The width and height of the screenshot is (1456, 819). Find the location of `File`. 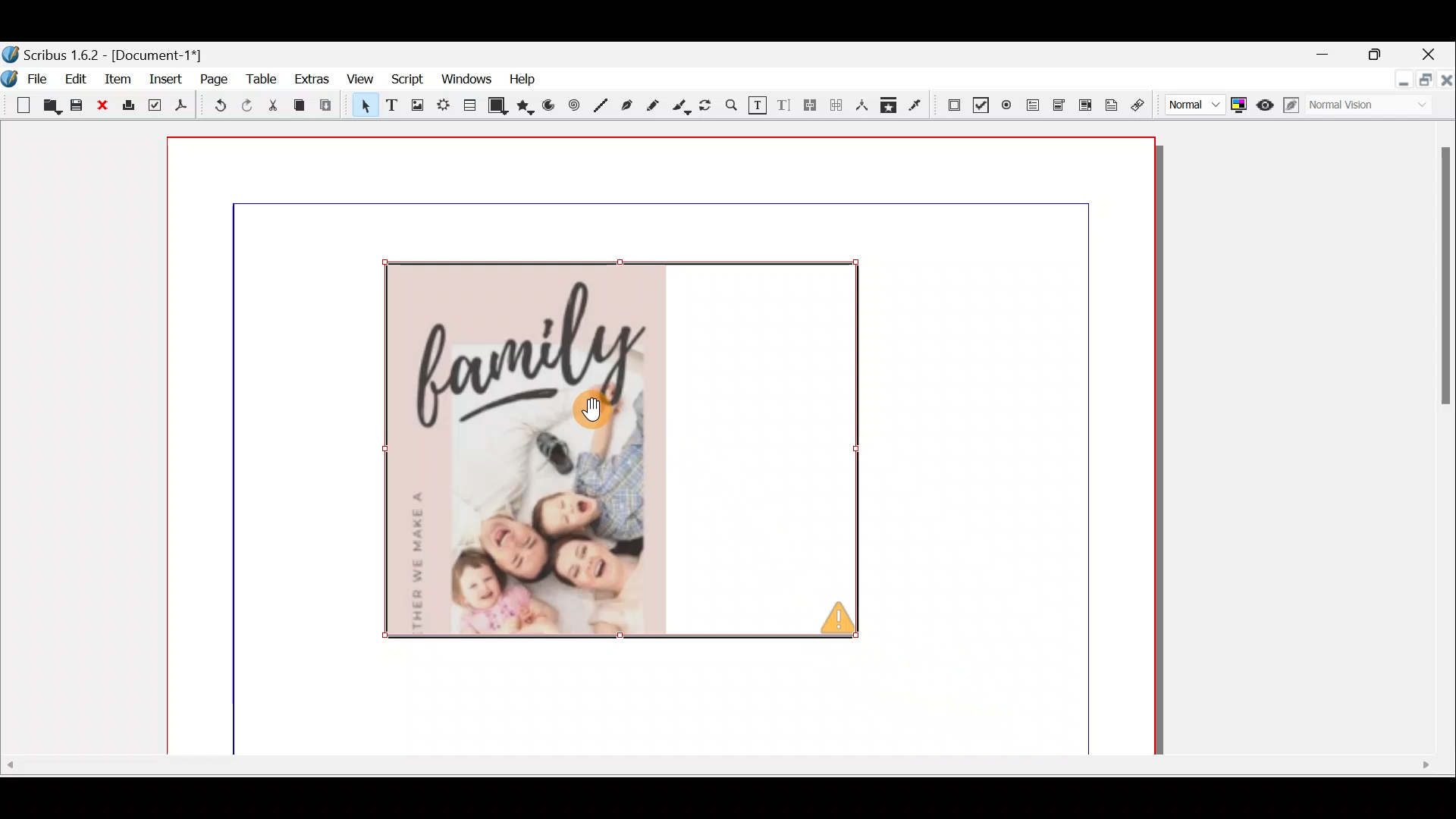

File is located at coordinates (40, 80).